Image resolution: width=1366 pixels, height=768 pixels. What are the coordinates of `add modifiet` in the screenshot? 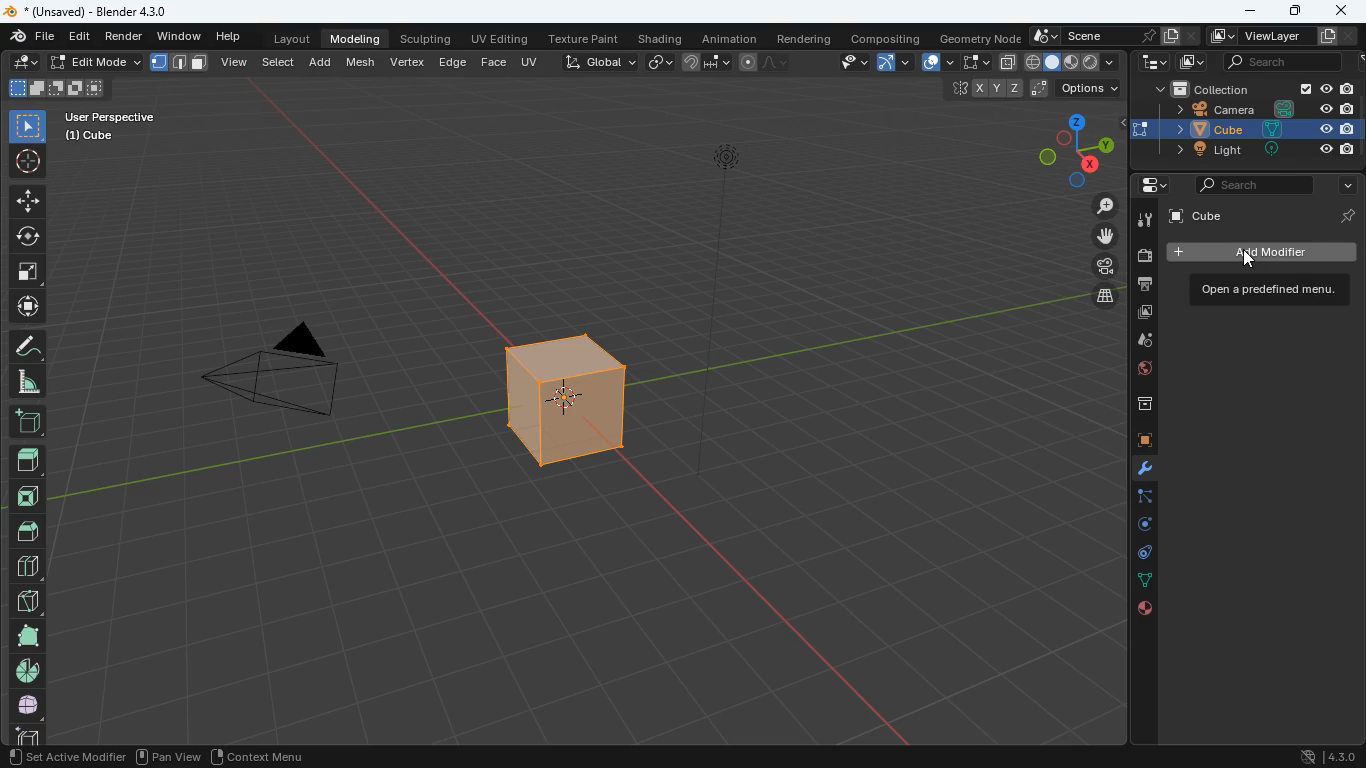 It's located at (1263, 252).